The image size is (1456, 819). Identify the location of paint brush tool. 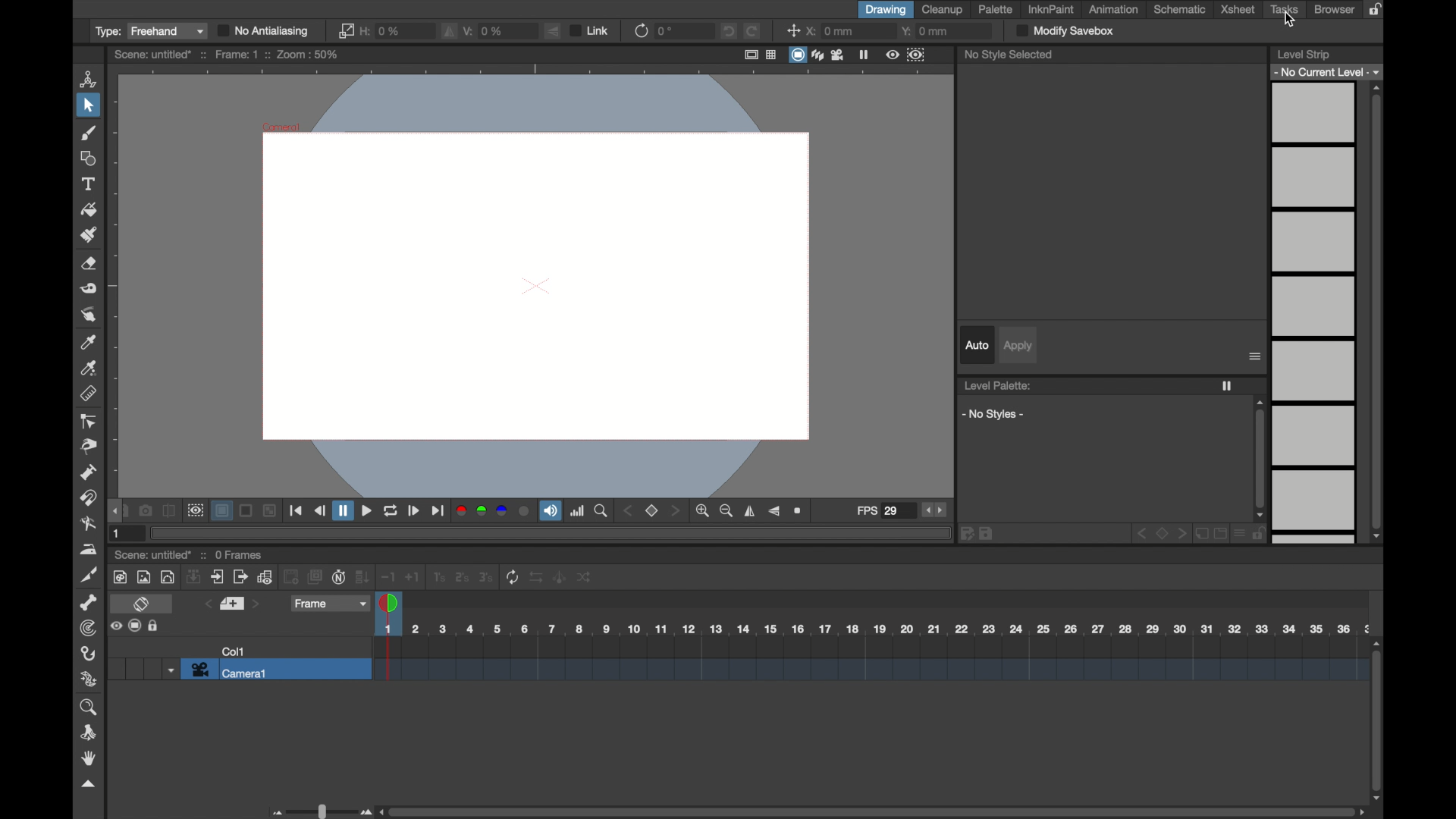
(88, 133).